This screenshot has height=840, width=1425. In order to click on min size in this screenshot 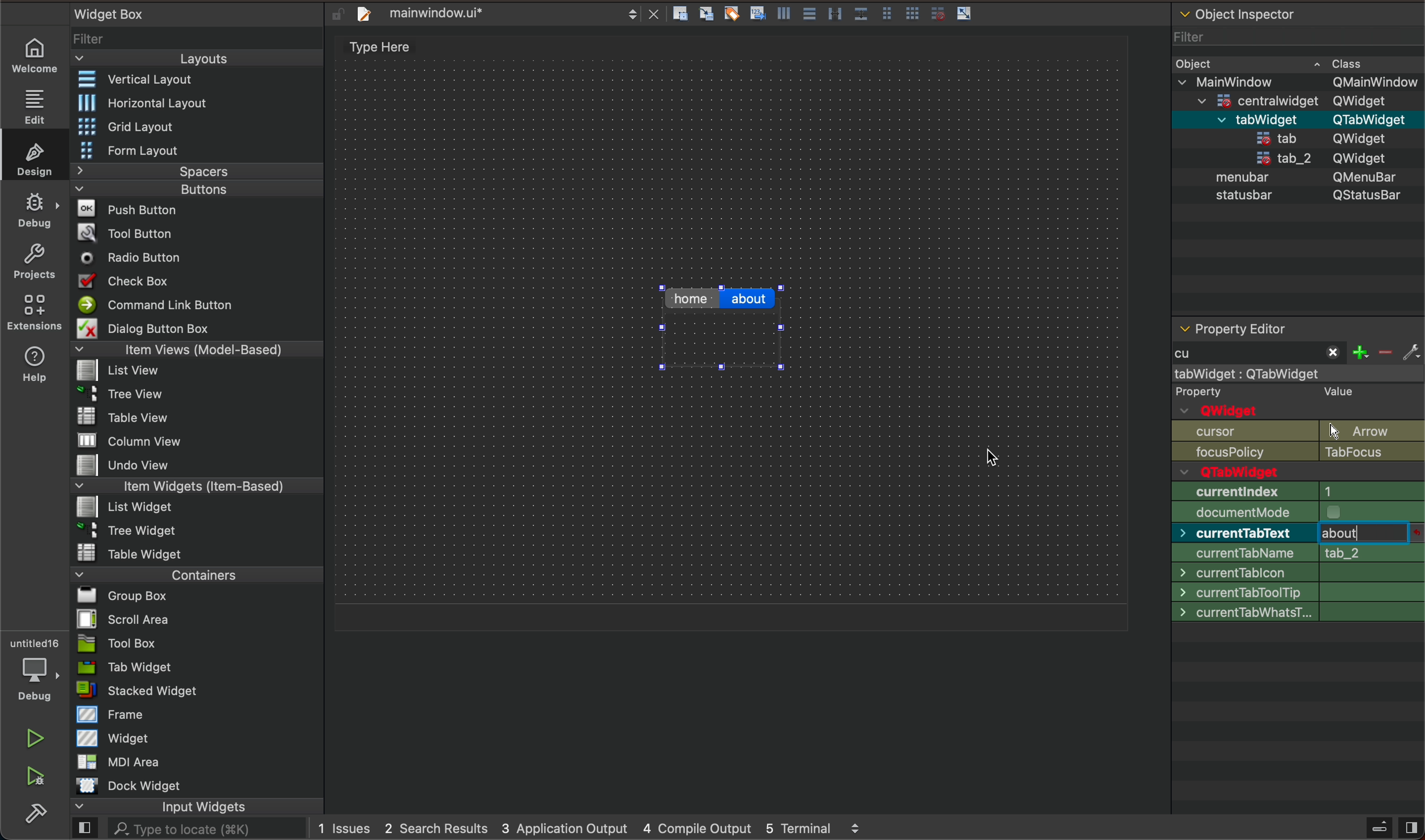, I will do `click(1299, 532)`.